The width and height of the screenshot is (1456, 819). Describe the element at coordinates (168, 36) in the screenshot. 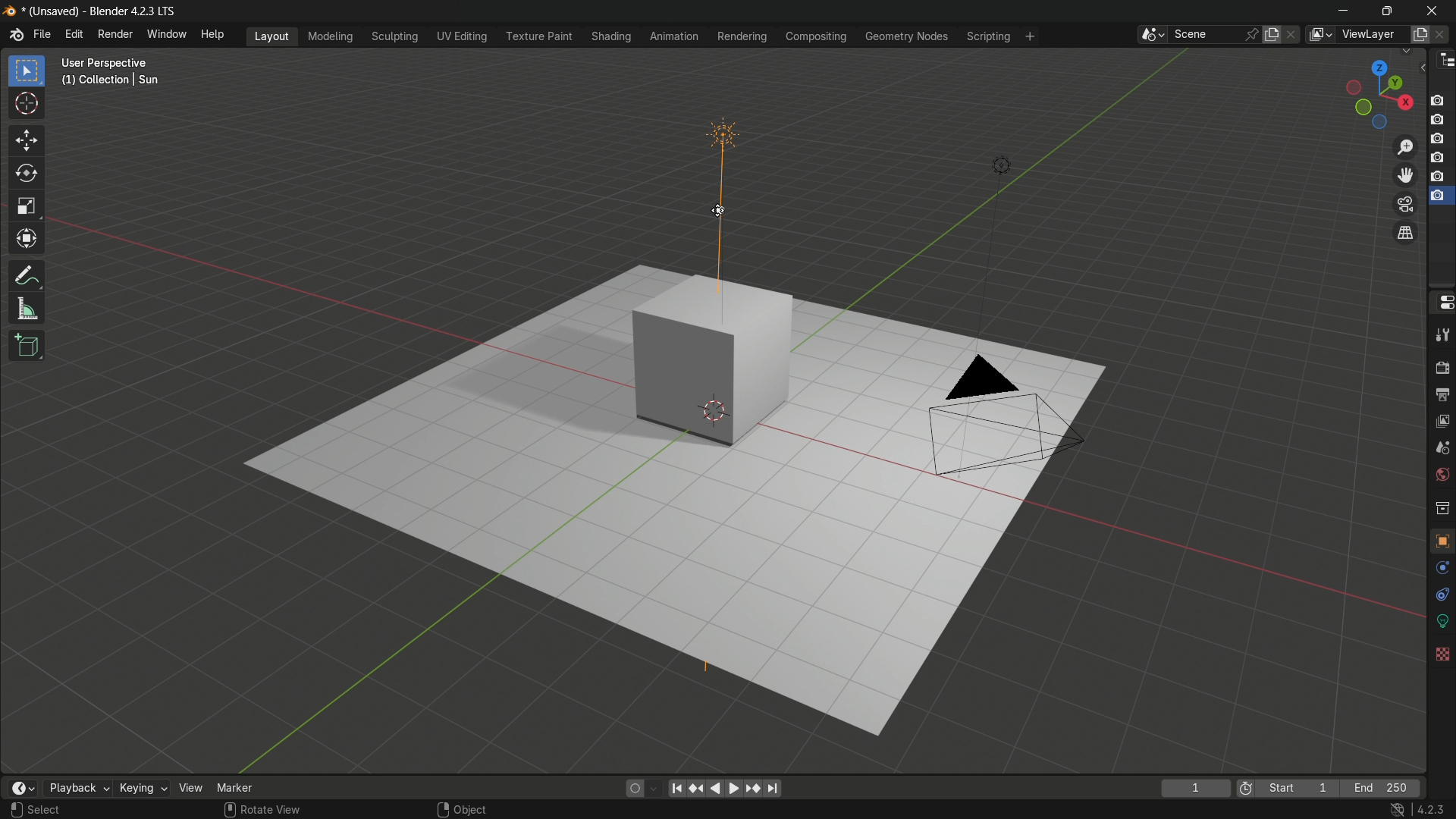

I see `window` at that location.